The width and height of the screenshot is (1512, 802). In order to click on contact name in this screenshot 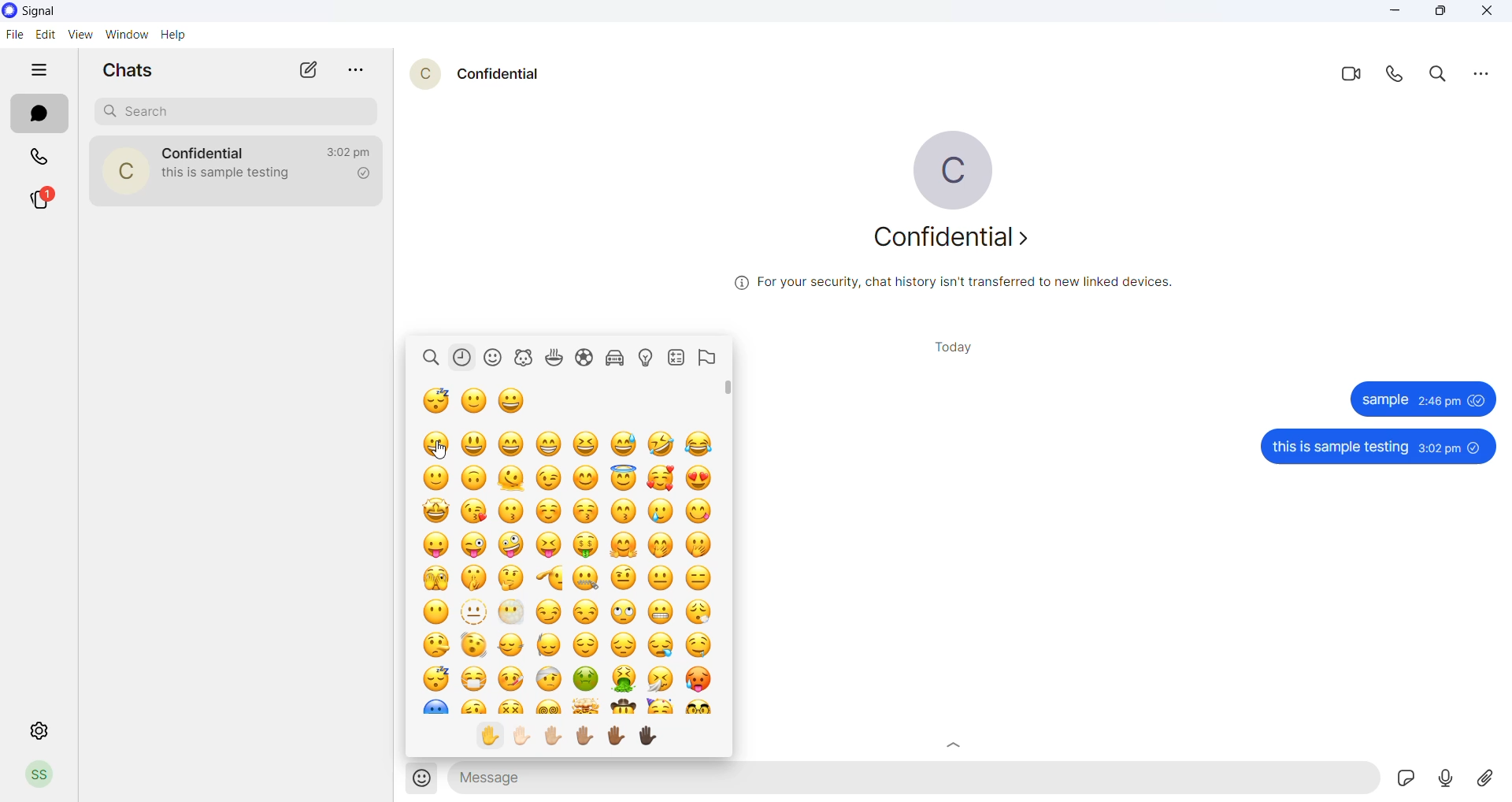, I will do `click(204, 152)`.